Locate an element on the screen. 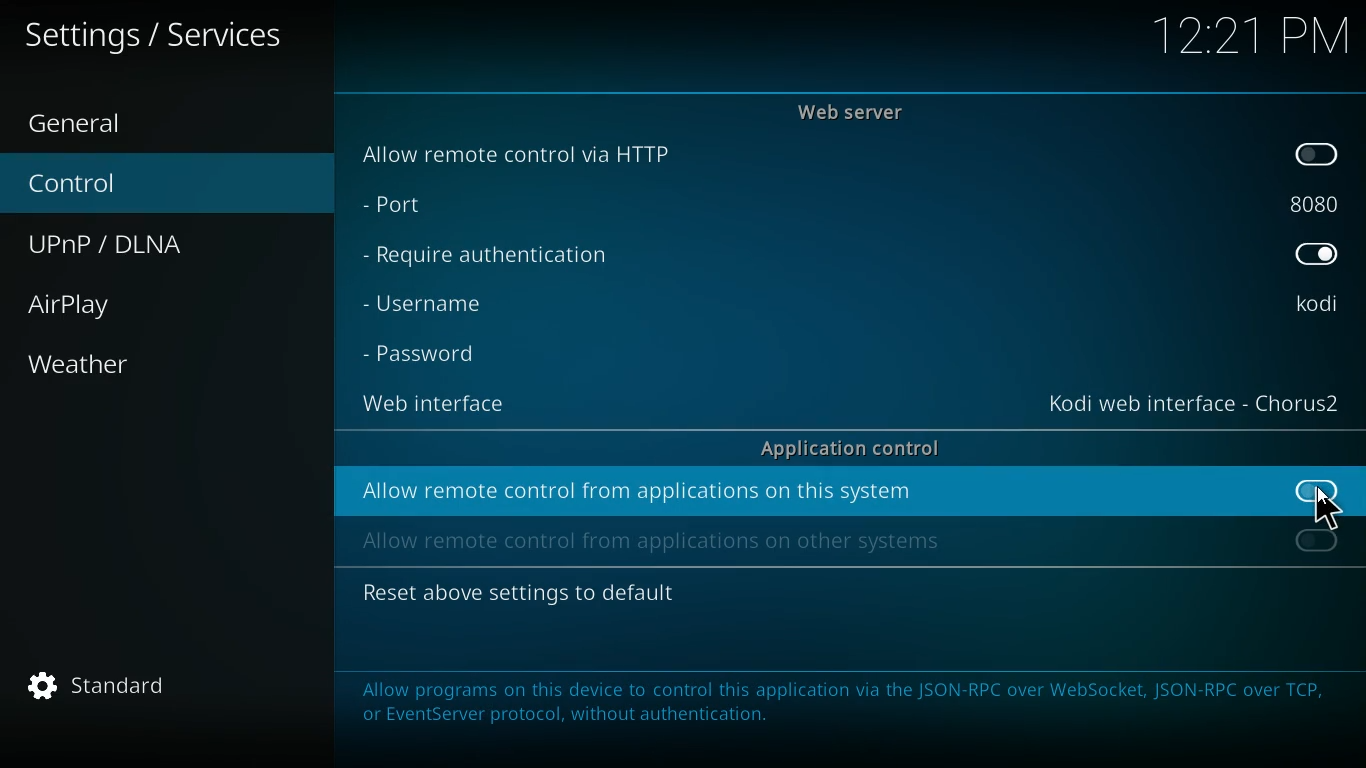 The image size is (1366, 768). application control is located at coordinates (850, 448).